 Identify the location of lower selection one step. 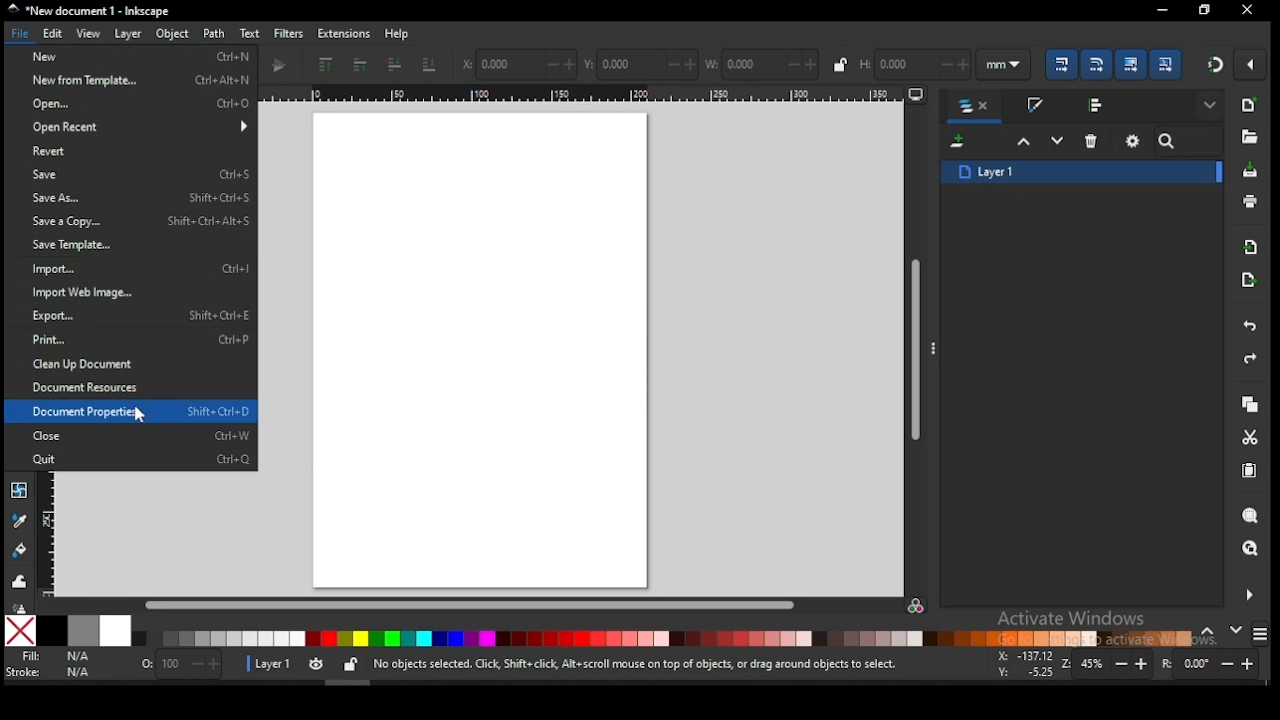
(1057, 141).